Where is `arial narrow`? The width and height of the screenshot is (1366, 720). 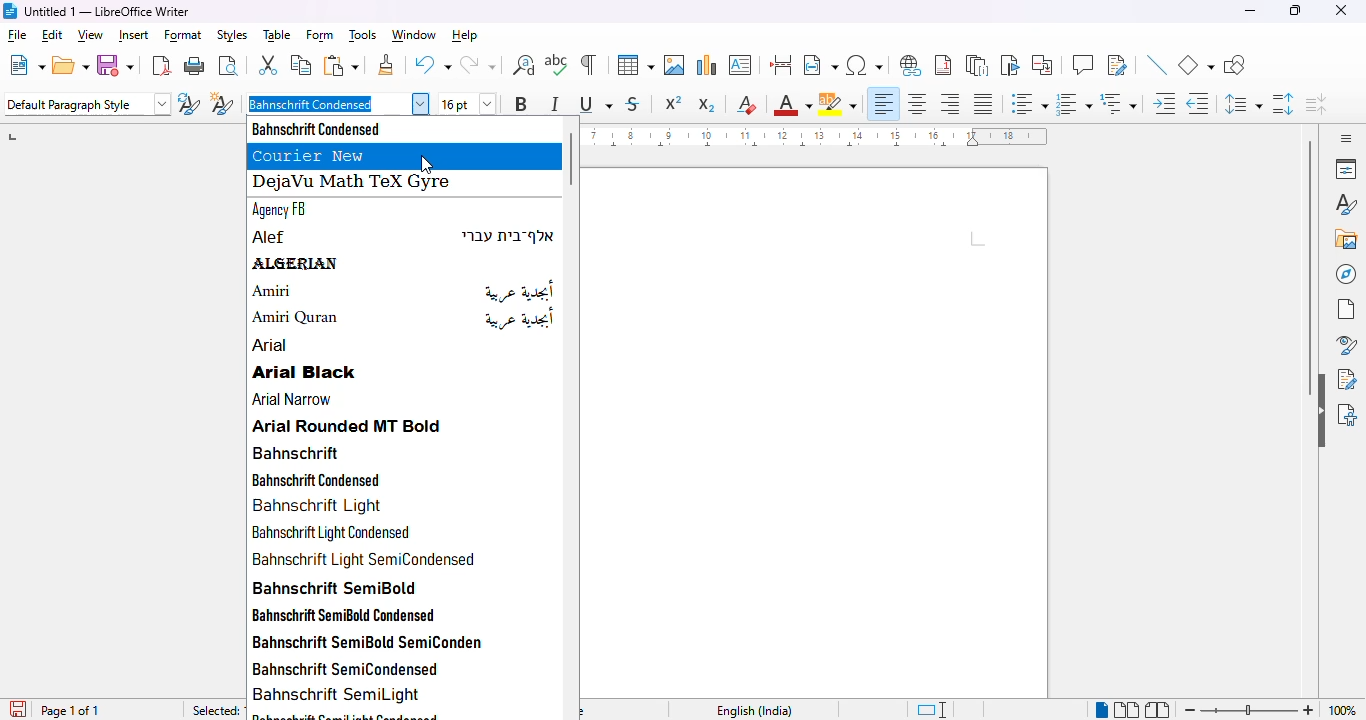 arial narrow is located at coordinates (295, 399).